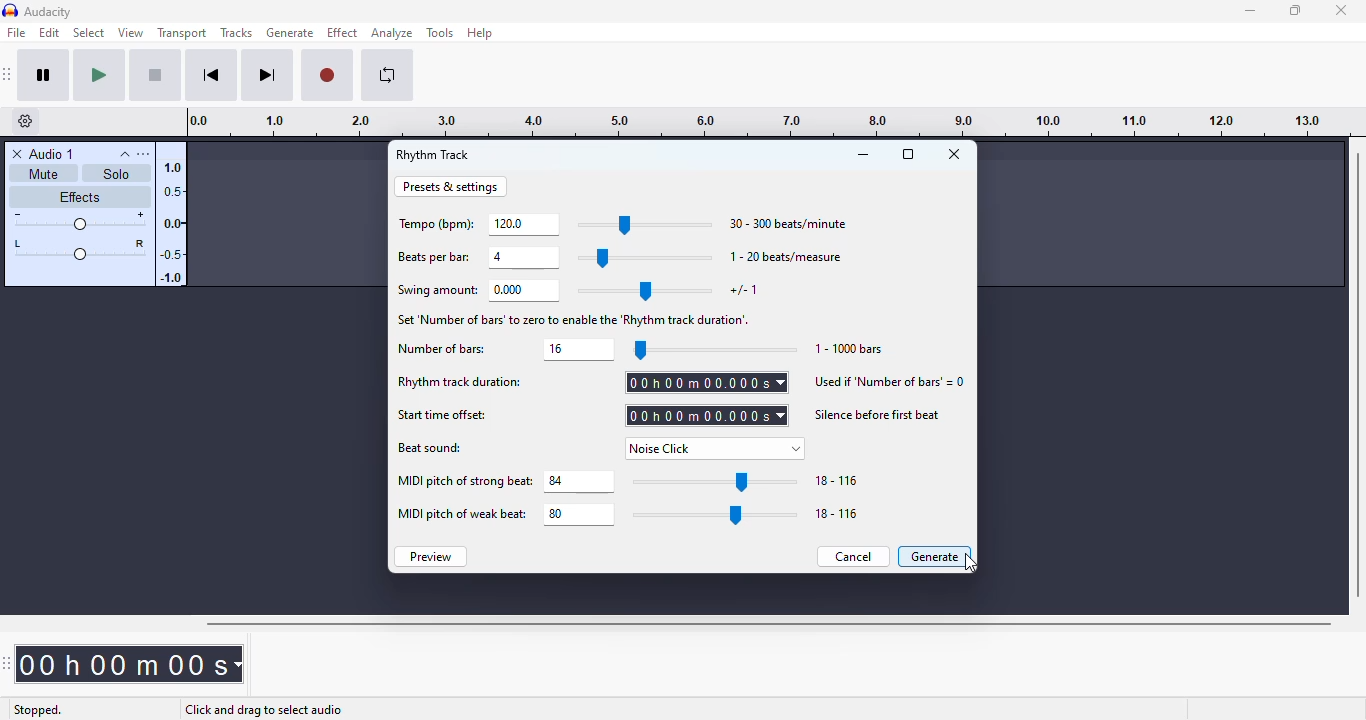 This screenshot has width=1366, height=720. Describe the element at coordinates (49, 11) in the screenshot. I see `audacity` at that location.